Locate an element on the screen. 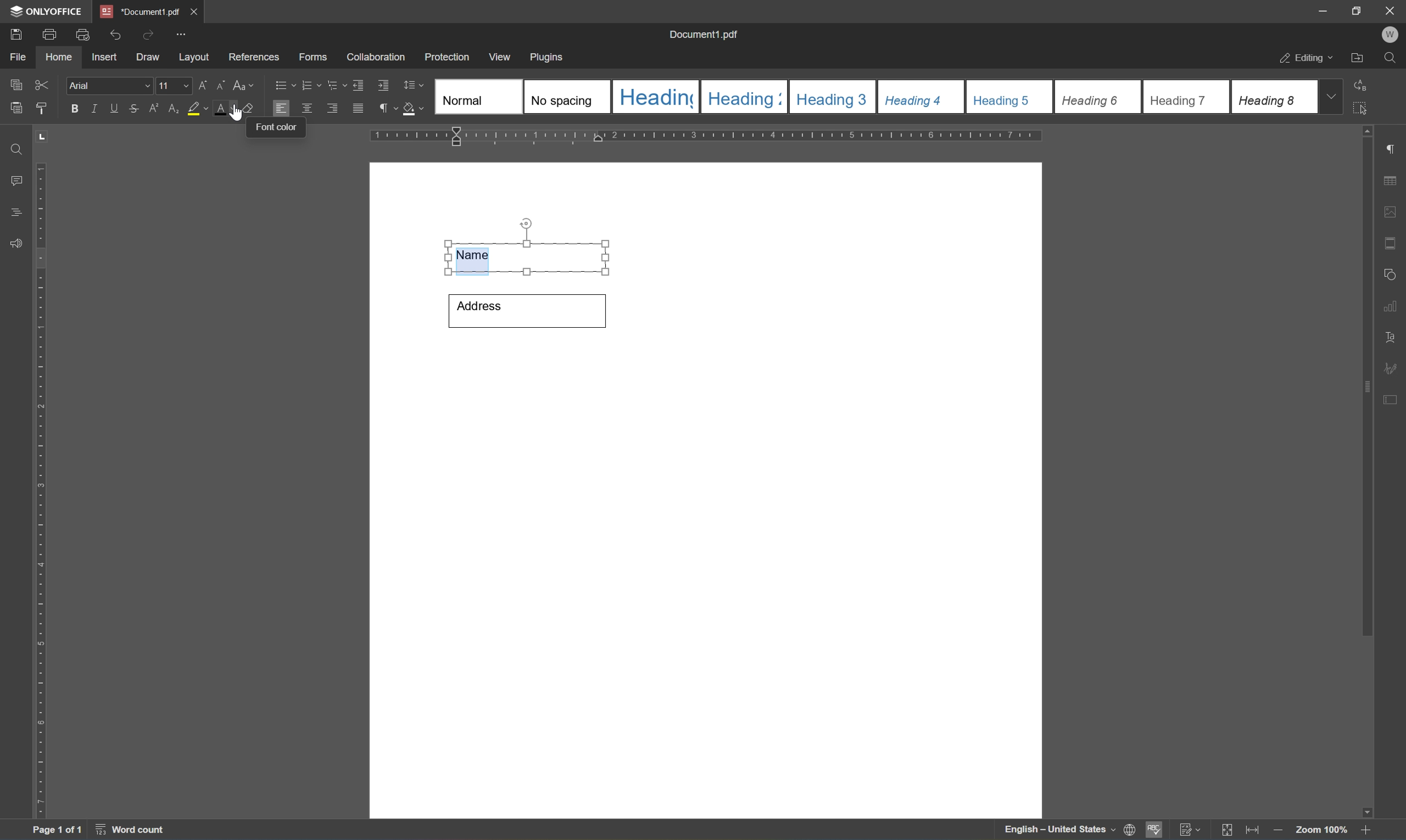 The width and height of the screenshot is (1406, 840). presentation1.pdf is located at coordinates (139, 11).